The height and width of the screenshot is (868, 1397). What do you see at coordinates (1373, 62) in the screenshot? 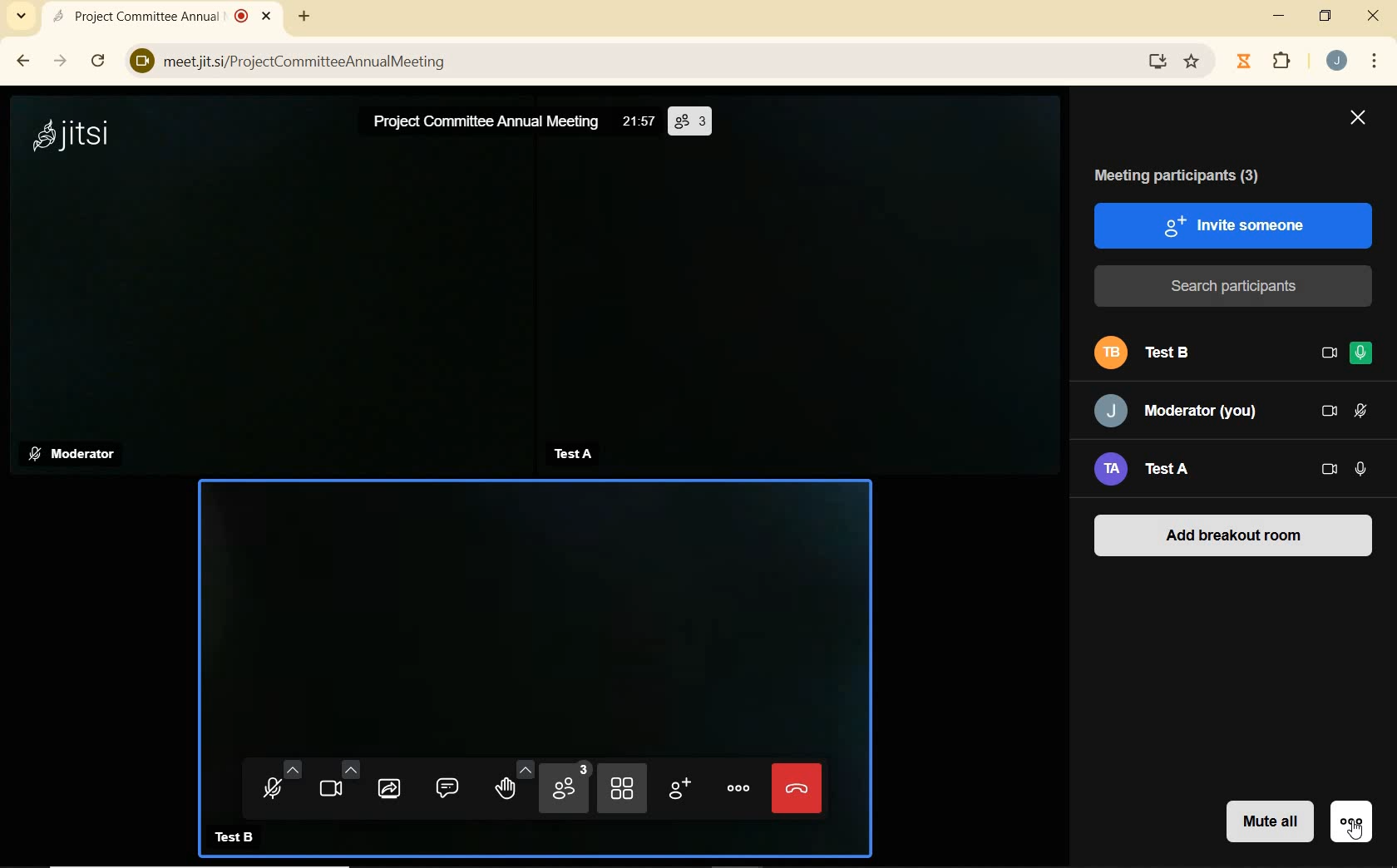
I see `CUSTOMIZE GOOGLE CHROME` at bounding box center [1373, 62].